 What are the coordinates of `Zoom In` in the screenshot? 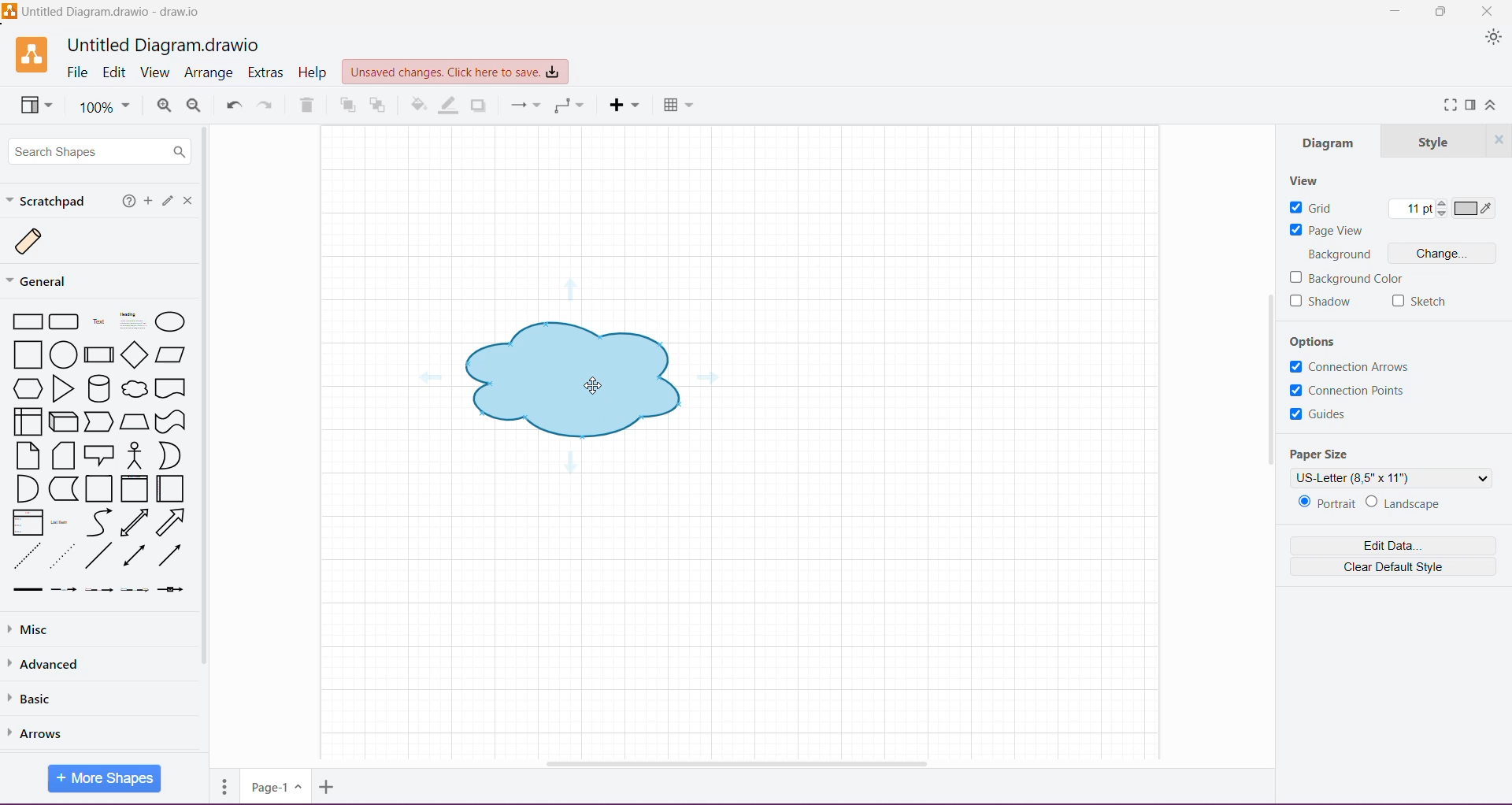 It's located at (162, 106).